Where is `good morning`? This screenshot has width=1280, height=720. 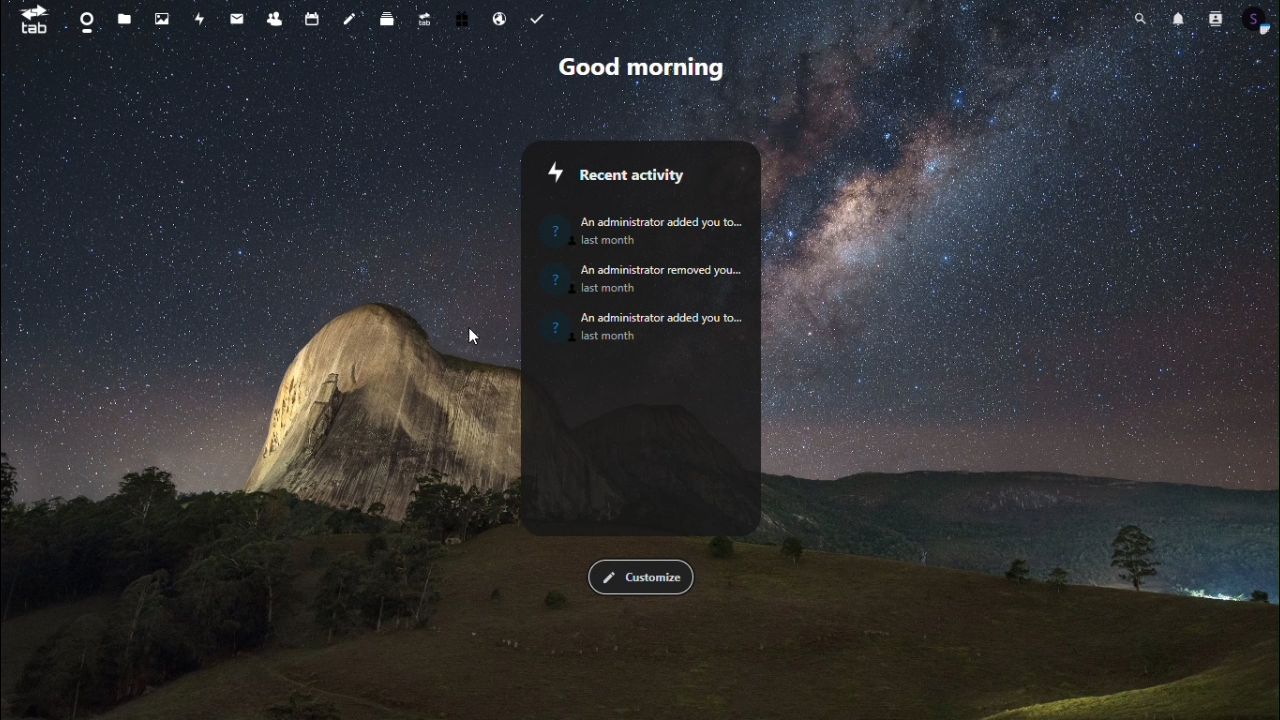
good morning is located at coordinates (644, 72).